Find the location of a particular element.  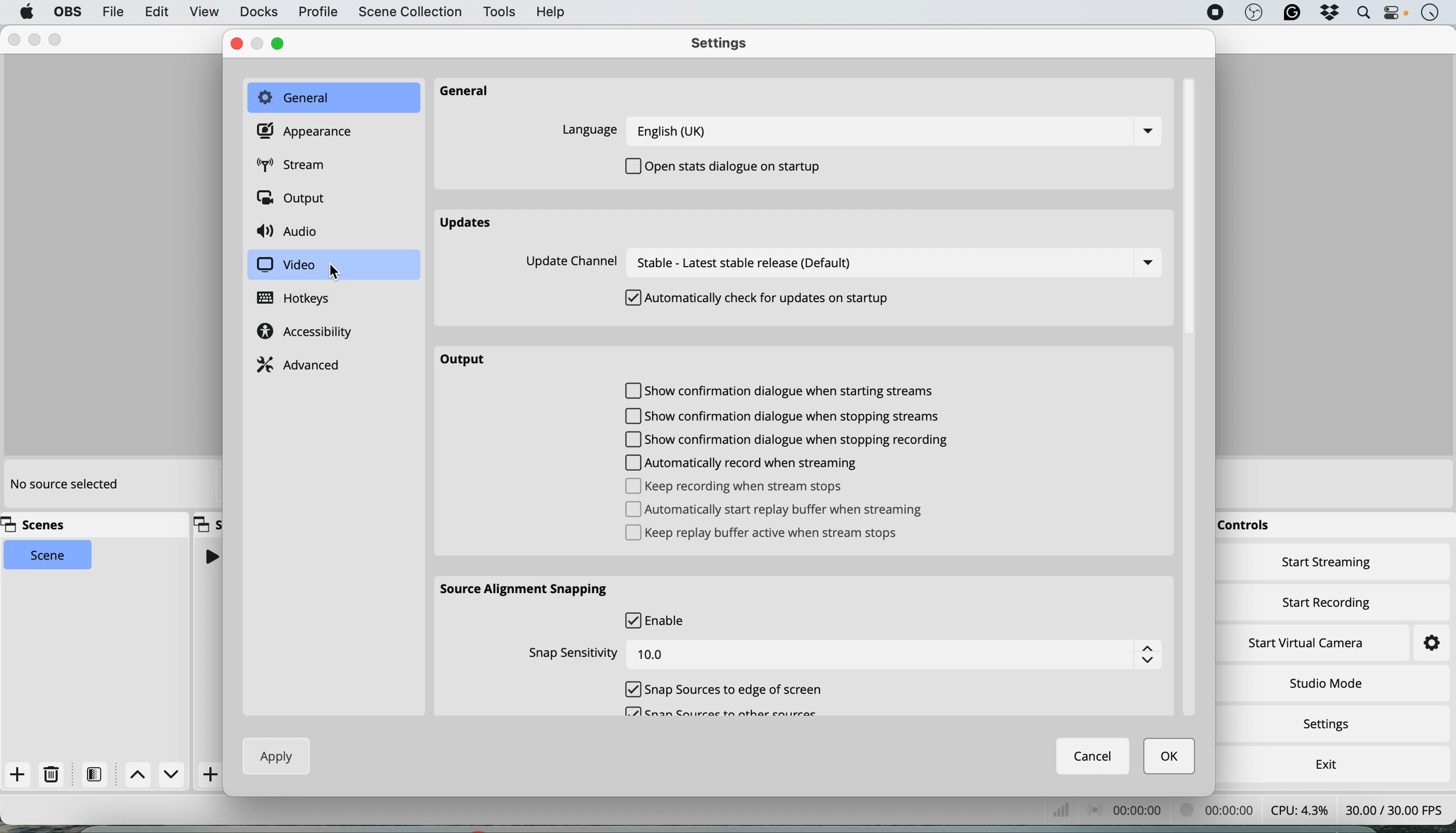

switch between scenes is located at coordinates (156, 775).